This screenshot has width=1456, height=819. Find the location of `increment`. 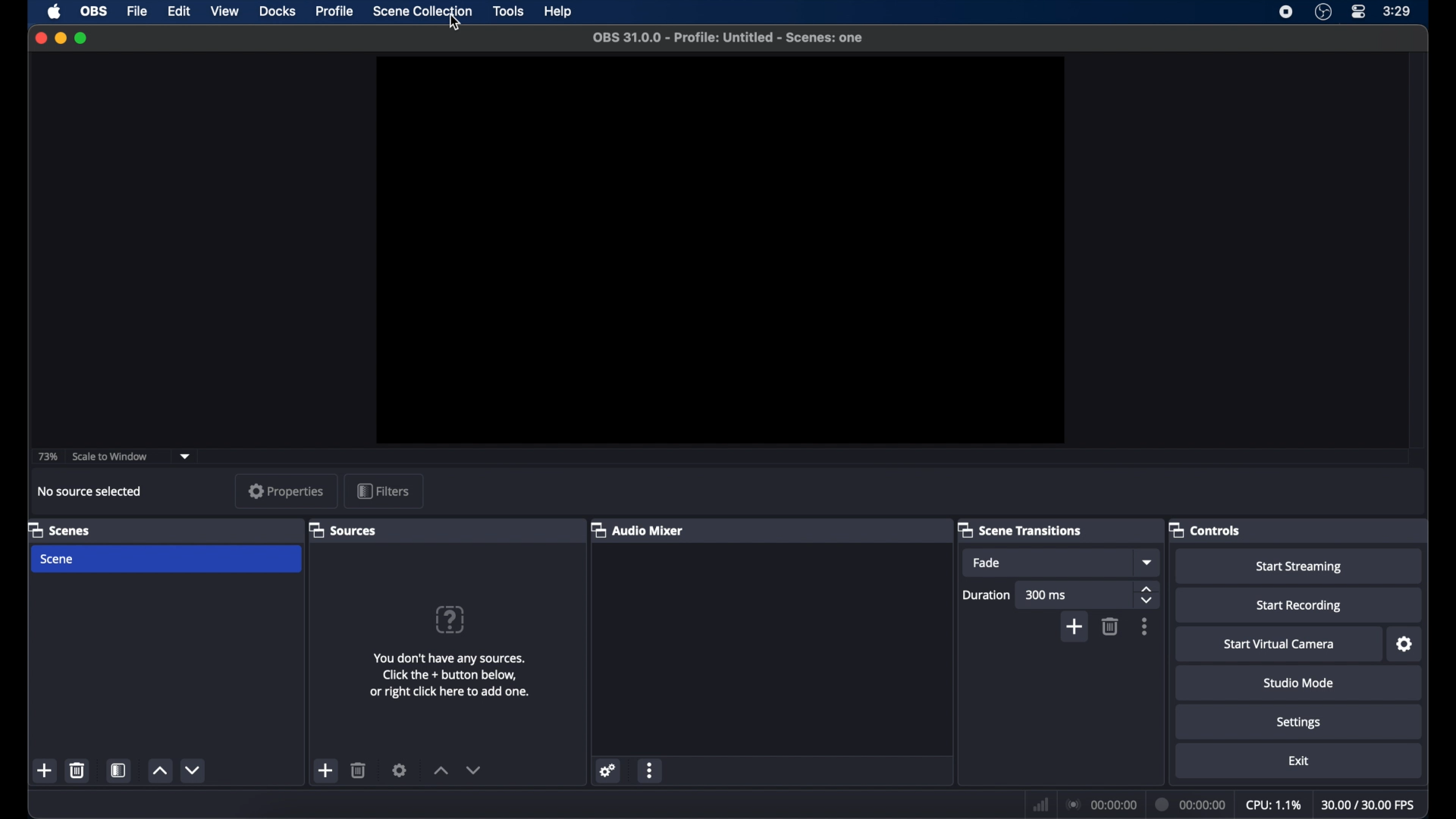

increment is located at coordinates (438, 770).